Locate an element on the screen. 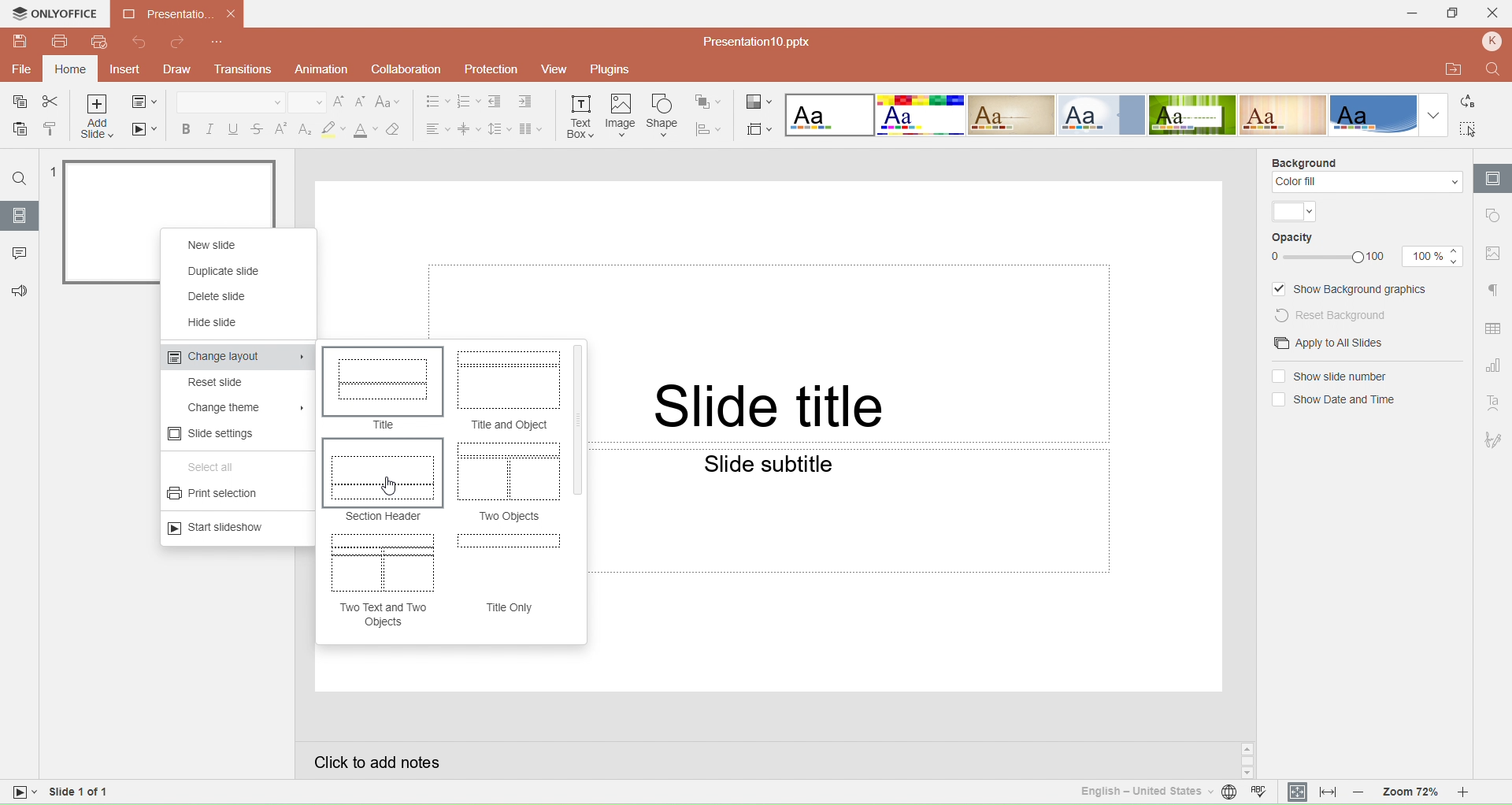 The width and height of the screenshot is (1512, 805). Arrange shape is located at coordinates (710, 100).